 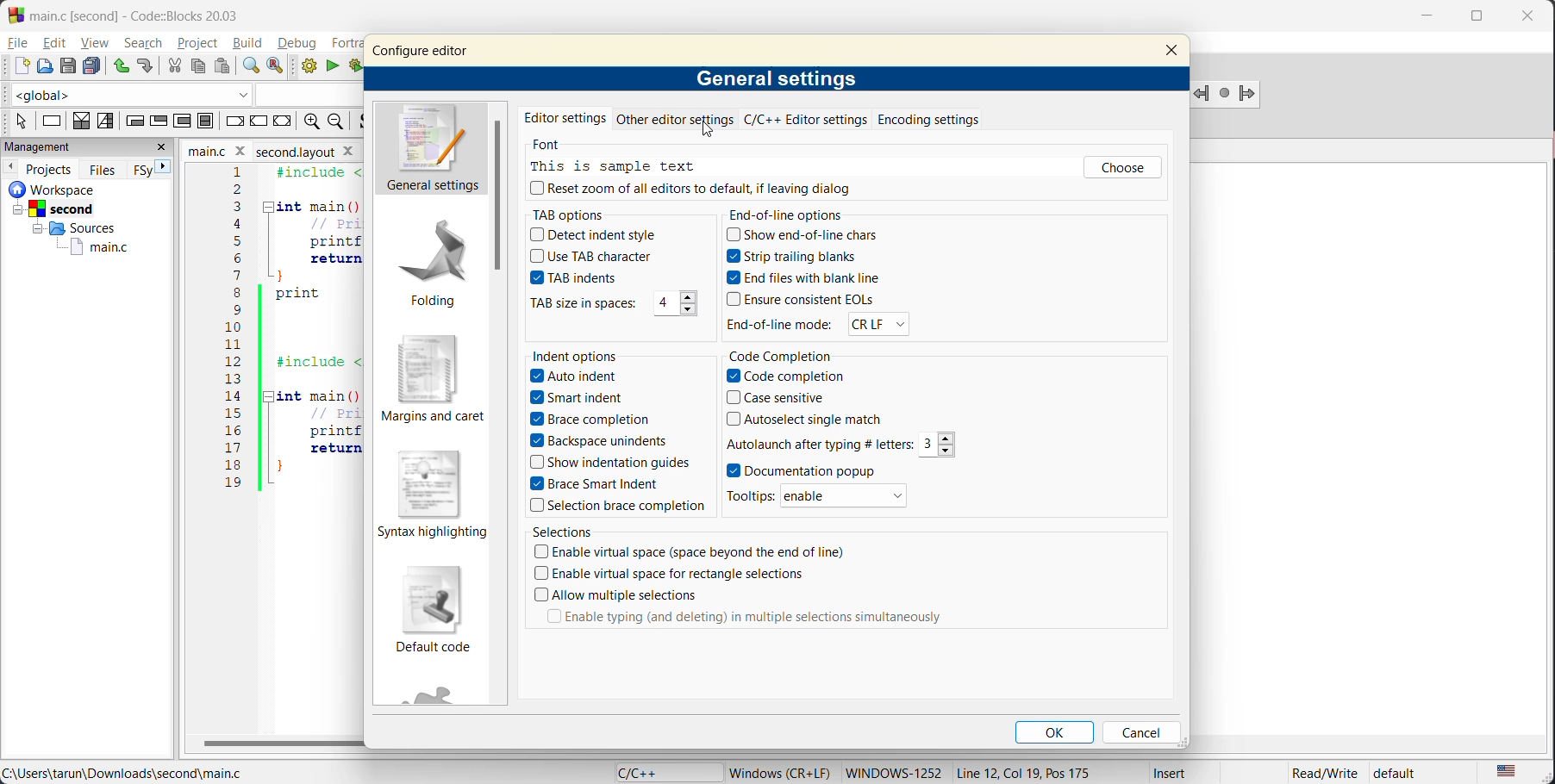 I want to click on Strip trailing blanks, so click(x=791, y=257).